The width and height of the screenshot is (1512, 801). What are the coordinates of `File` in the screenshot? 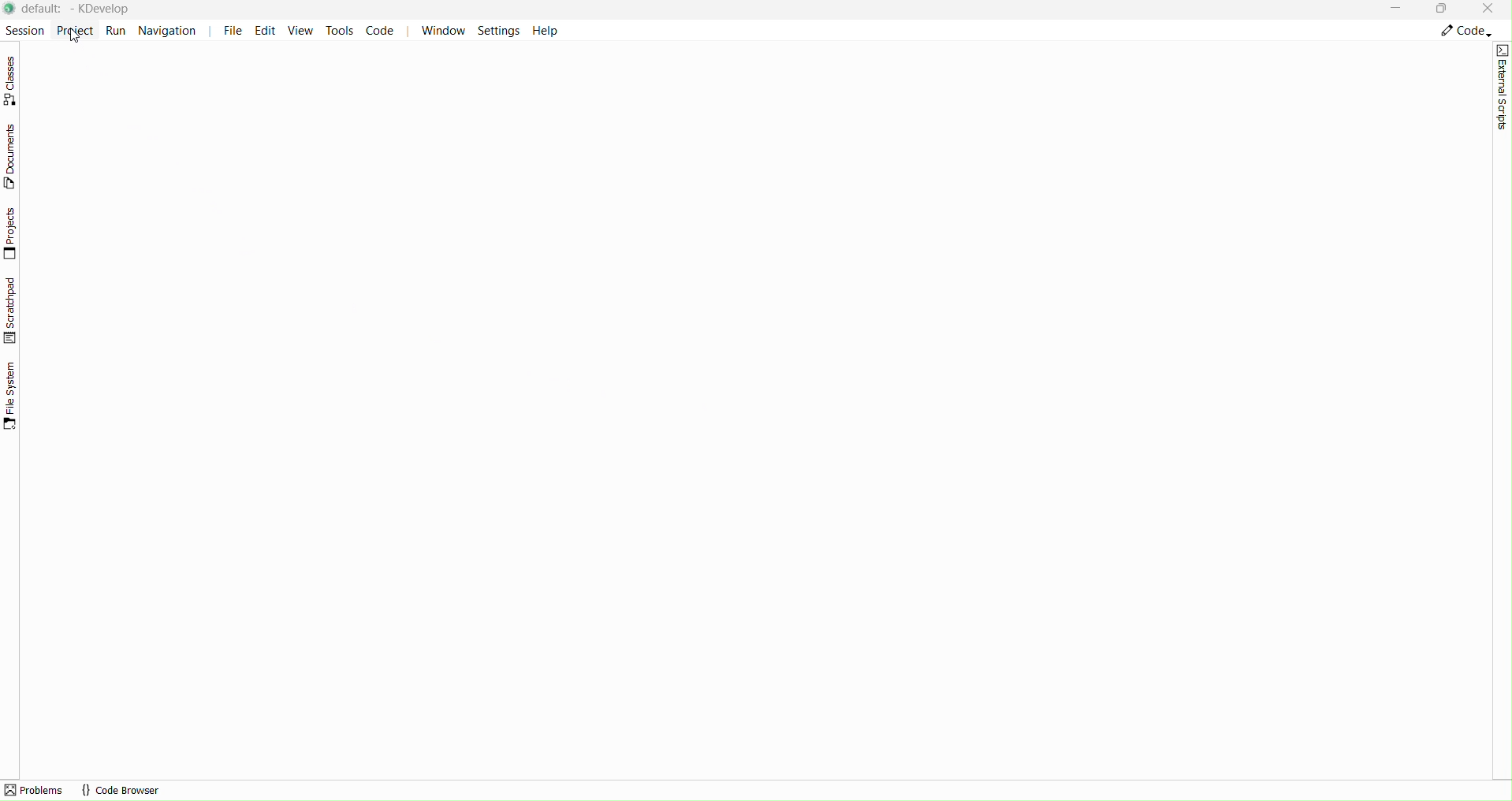 It's located at (233, 31).